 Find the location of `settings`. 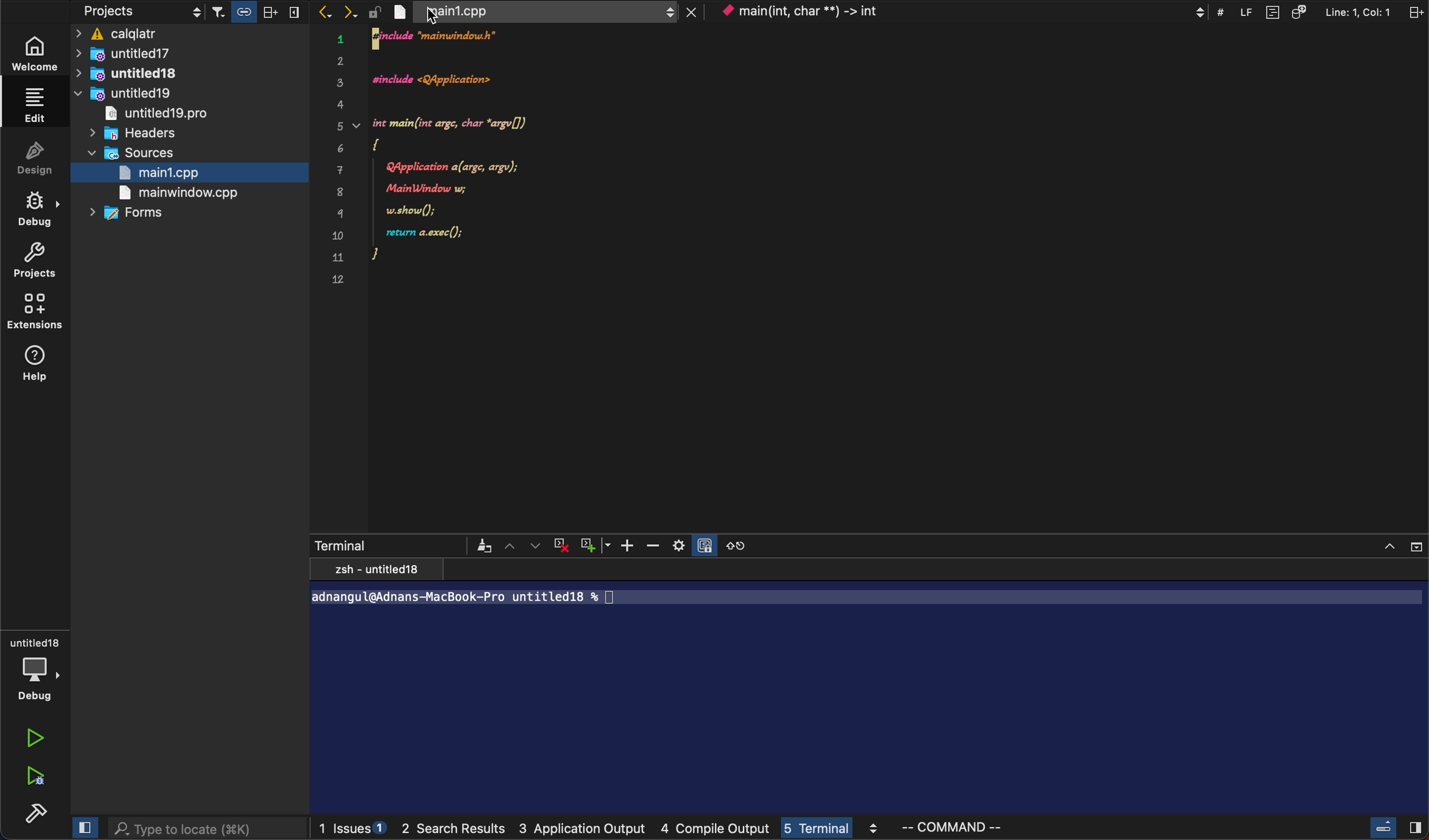

settings is located at coordinates (696, 545).